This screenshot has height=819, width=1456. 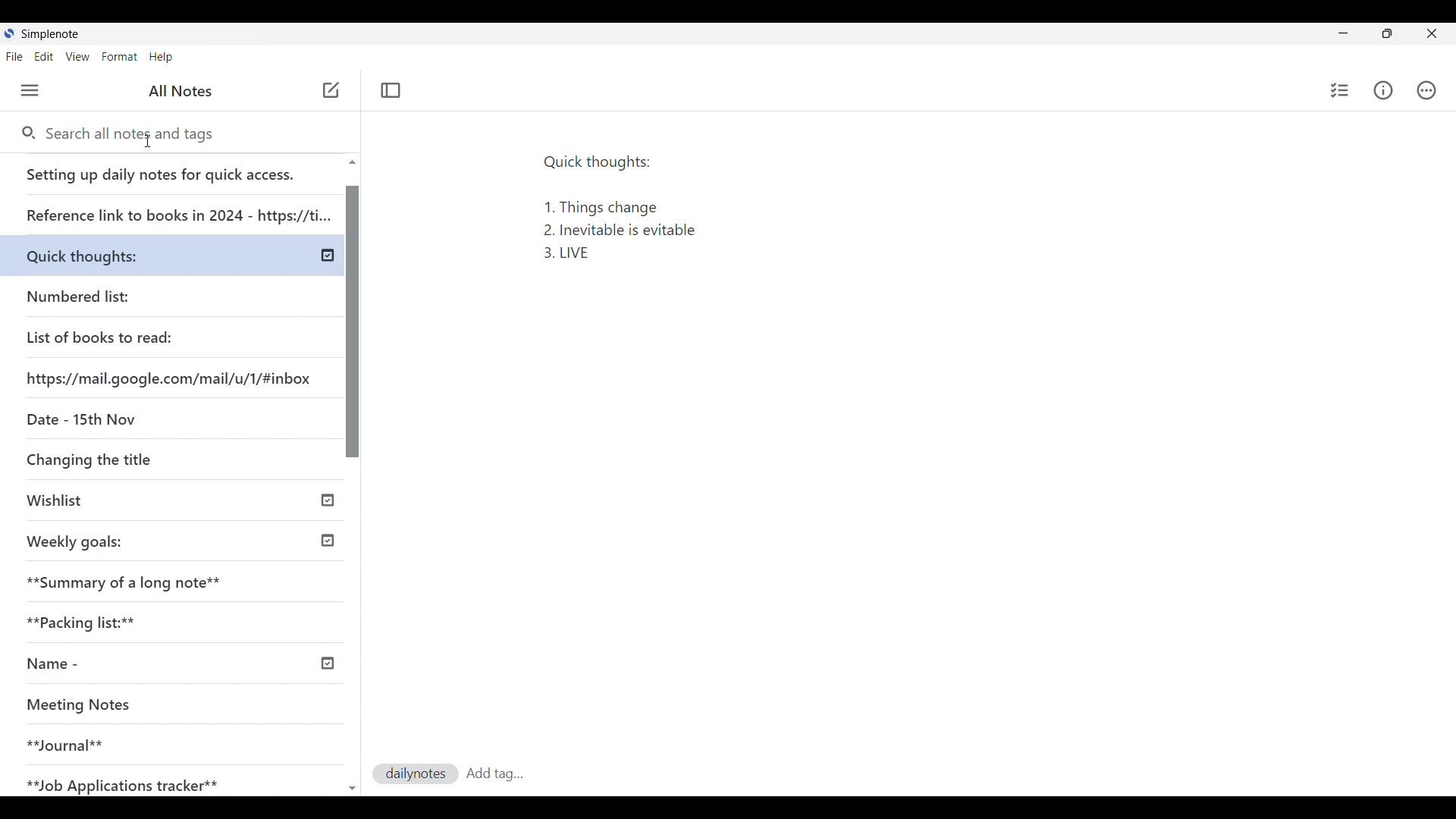 What do you see at coordinates (151, 739) in the screenshot?
I see `Journal` at bounding box center [151, 739].